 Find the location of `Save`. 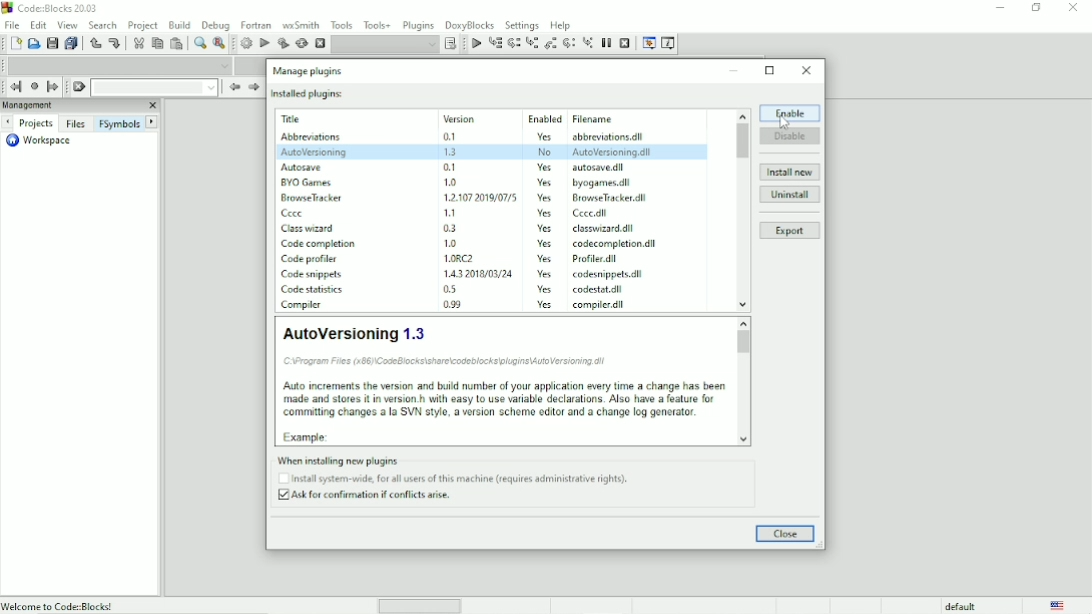

Save is located at coordinates (52, 43).